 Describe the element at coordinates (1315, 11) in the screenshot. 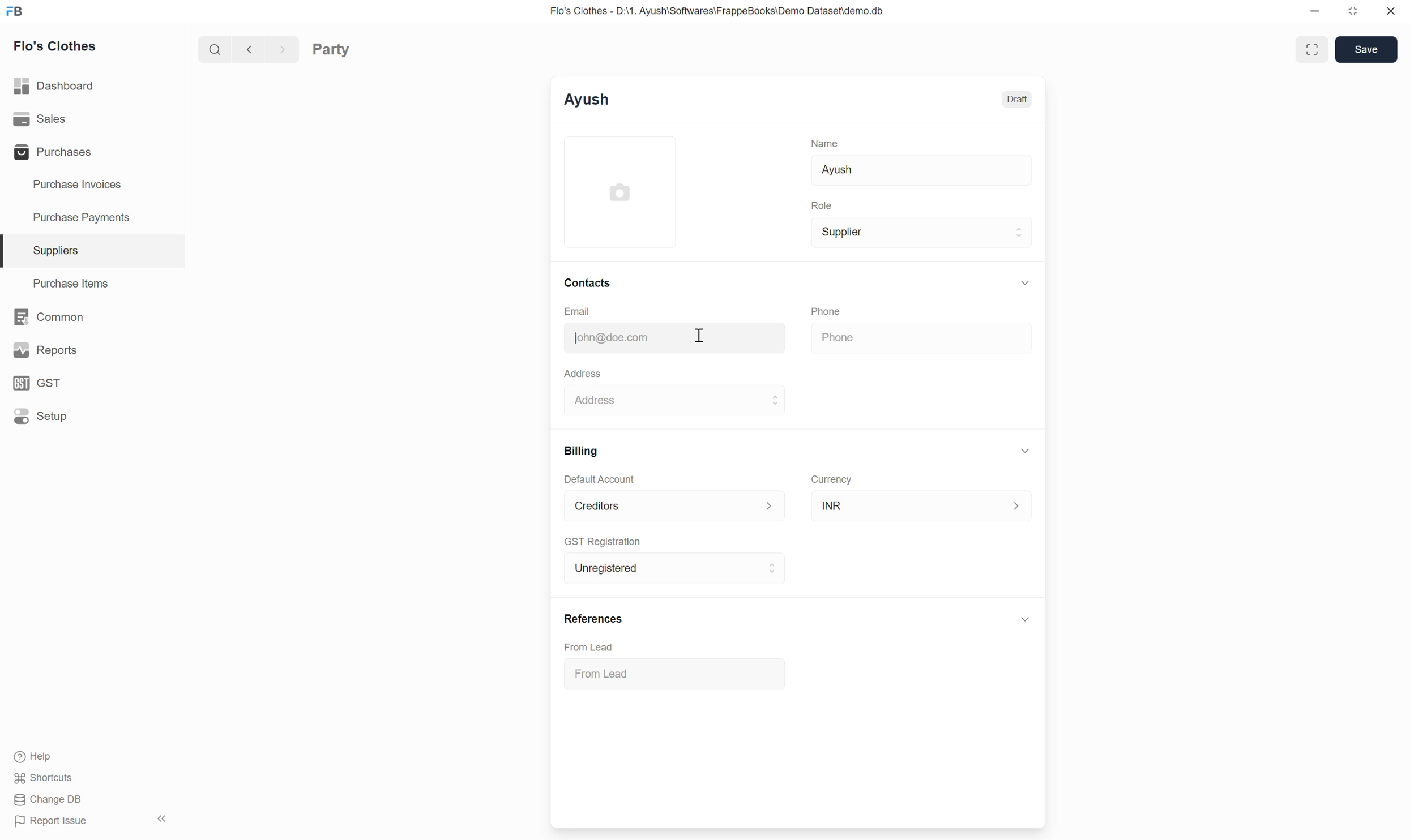

I see `Minimize` at that location.